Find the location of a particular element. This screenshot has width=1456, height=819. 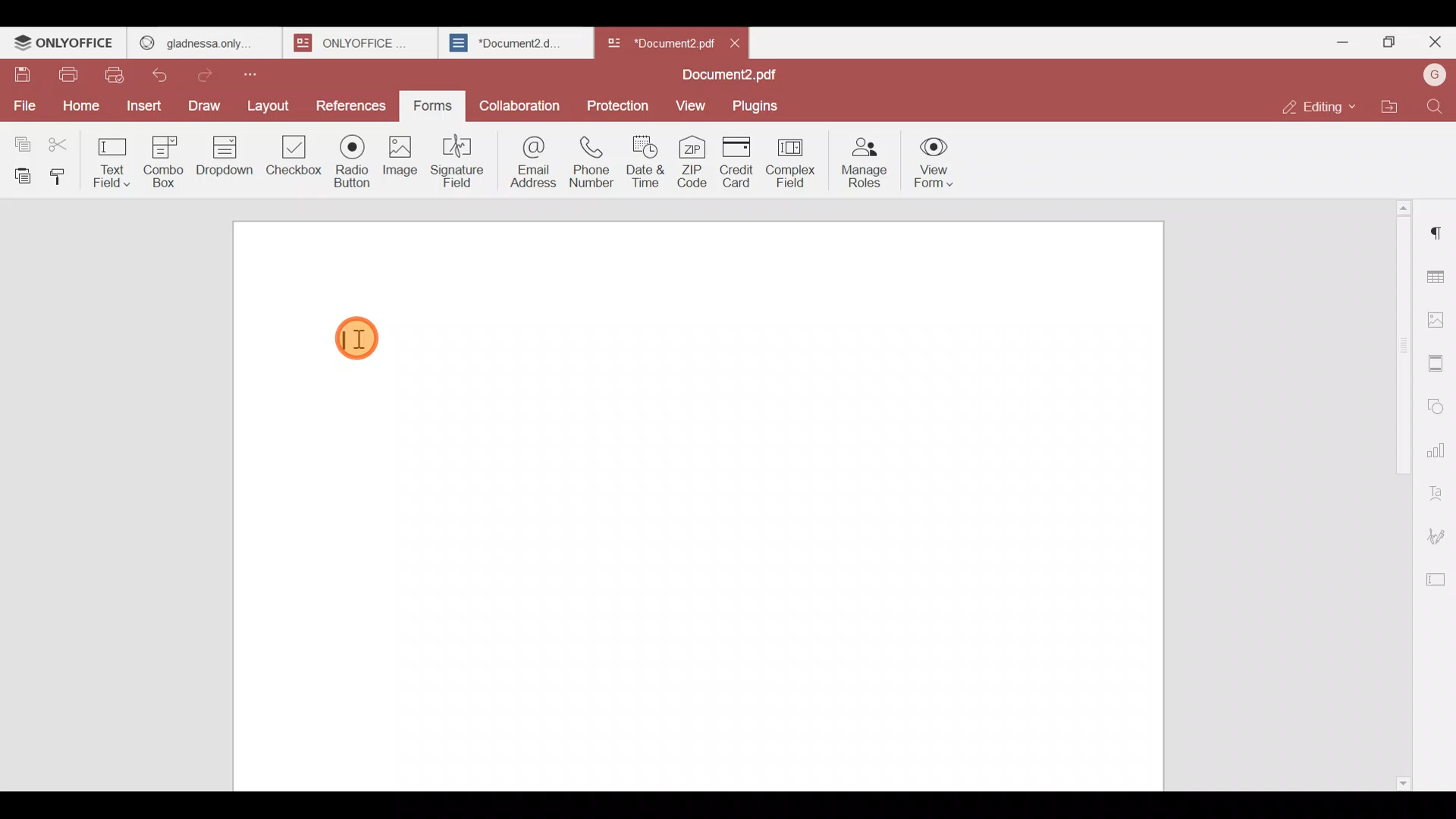

Copy style is located at coordinates (59, 173).